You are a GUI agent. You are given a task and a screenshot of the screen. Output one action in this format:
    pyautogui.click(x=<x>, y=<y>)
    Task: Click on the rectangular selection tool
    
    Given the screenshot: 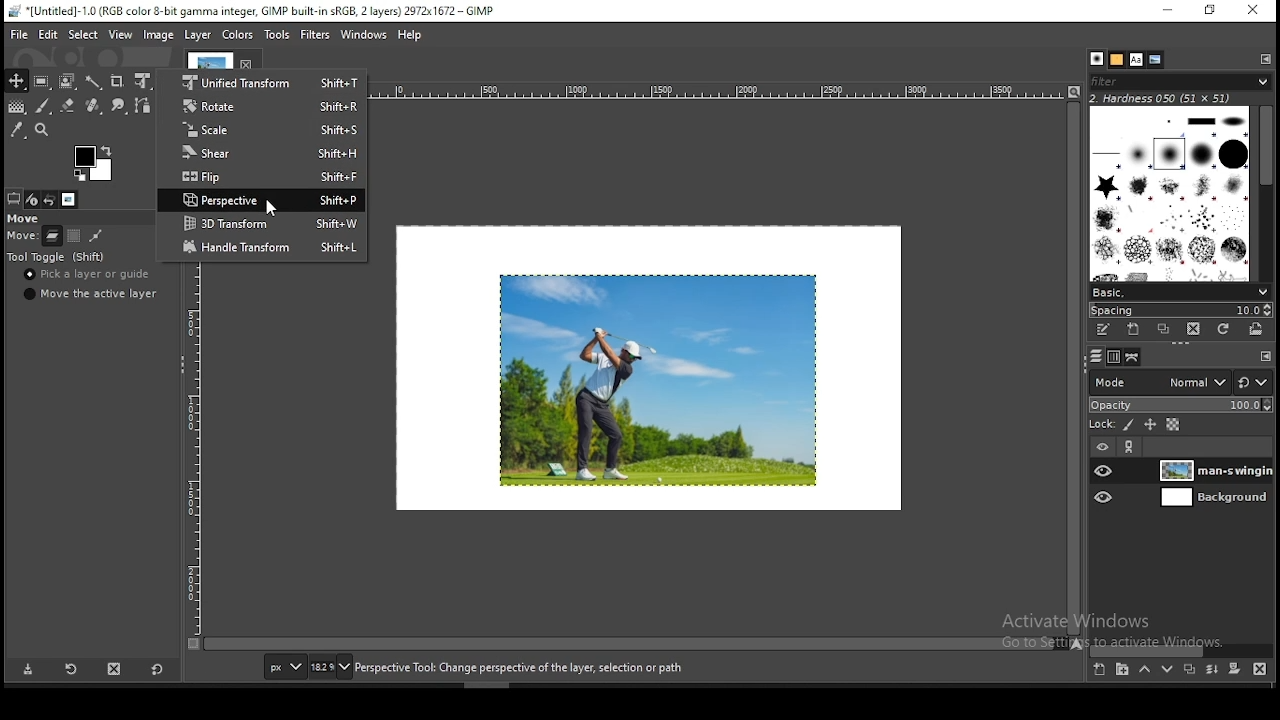 What is the action you would take?
    pyautogui.click(x=44, y=82)
    